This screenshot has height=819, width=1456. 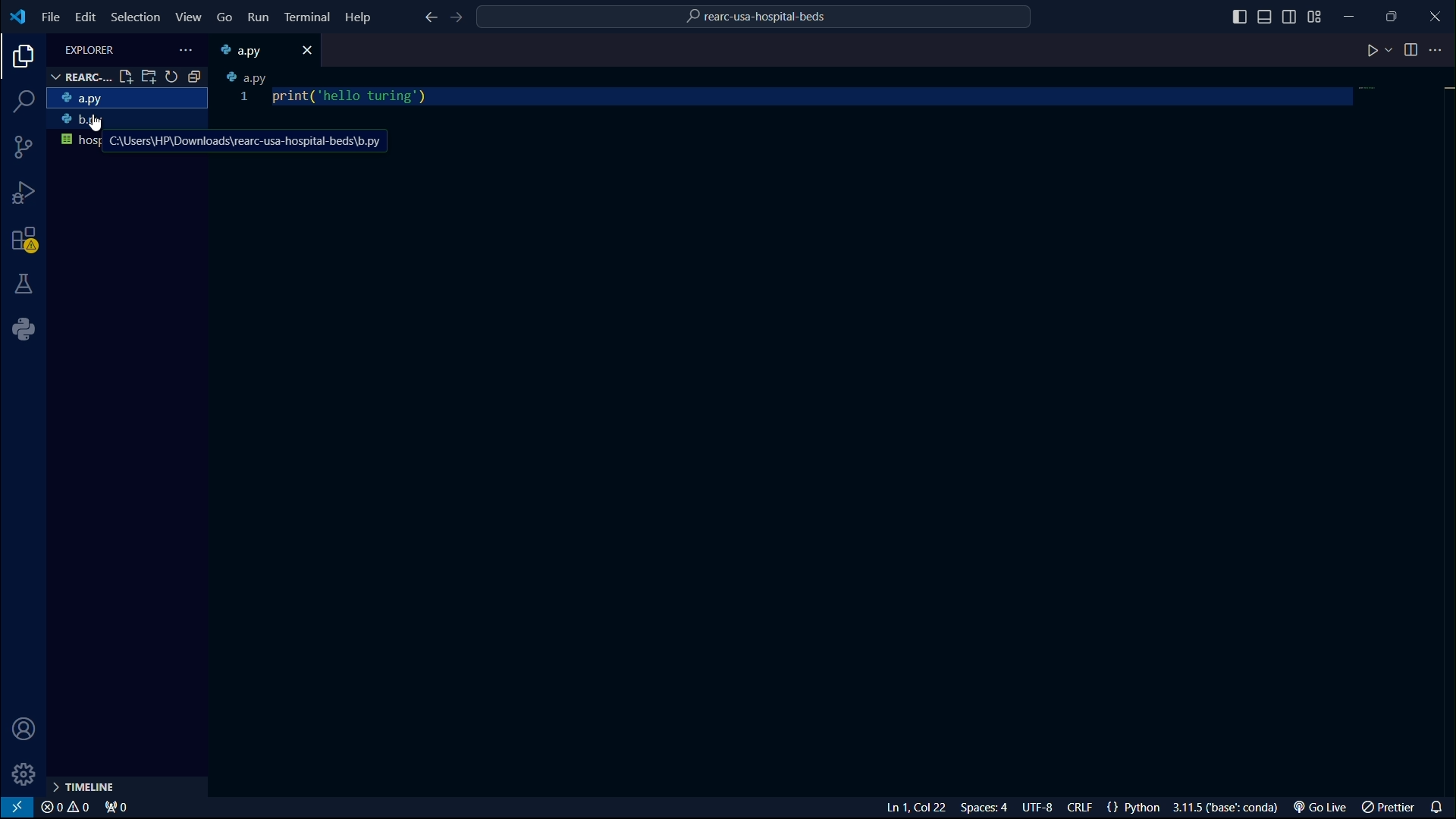 What do you see at coordinates (172, 77) in the screenshot?
I see `refresh explorer` at bounding box center [172, 77].